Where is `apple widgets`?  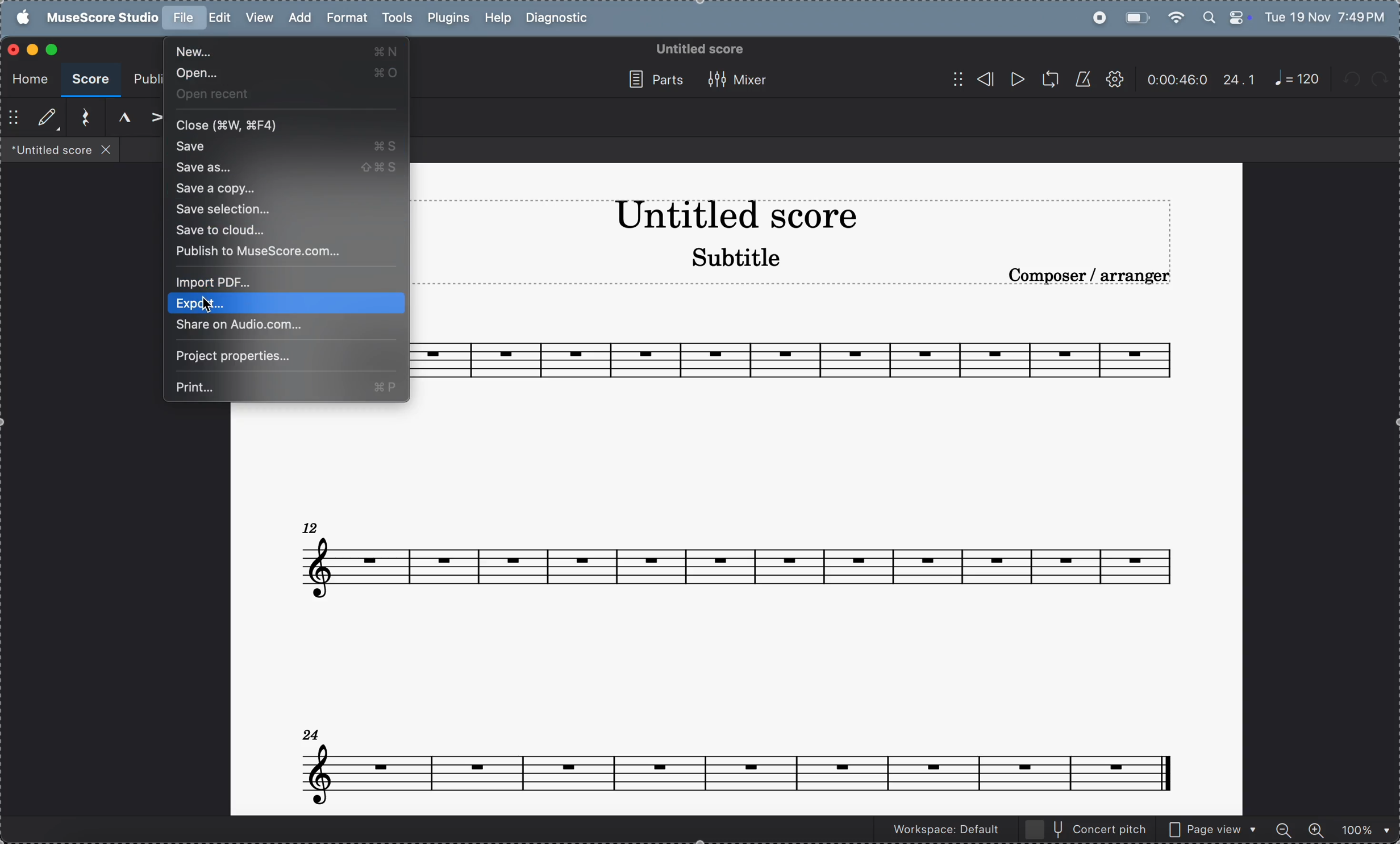
apple widgets is located at coordinates (1226, 16).